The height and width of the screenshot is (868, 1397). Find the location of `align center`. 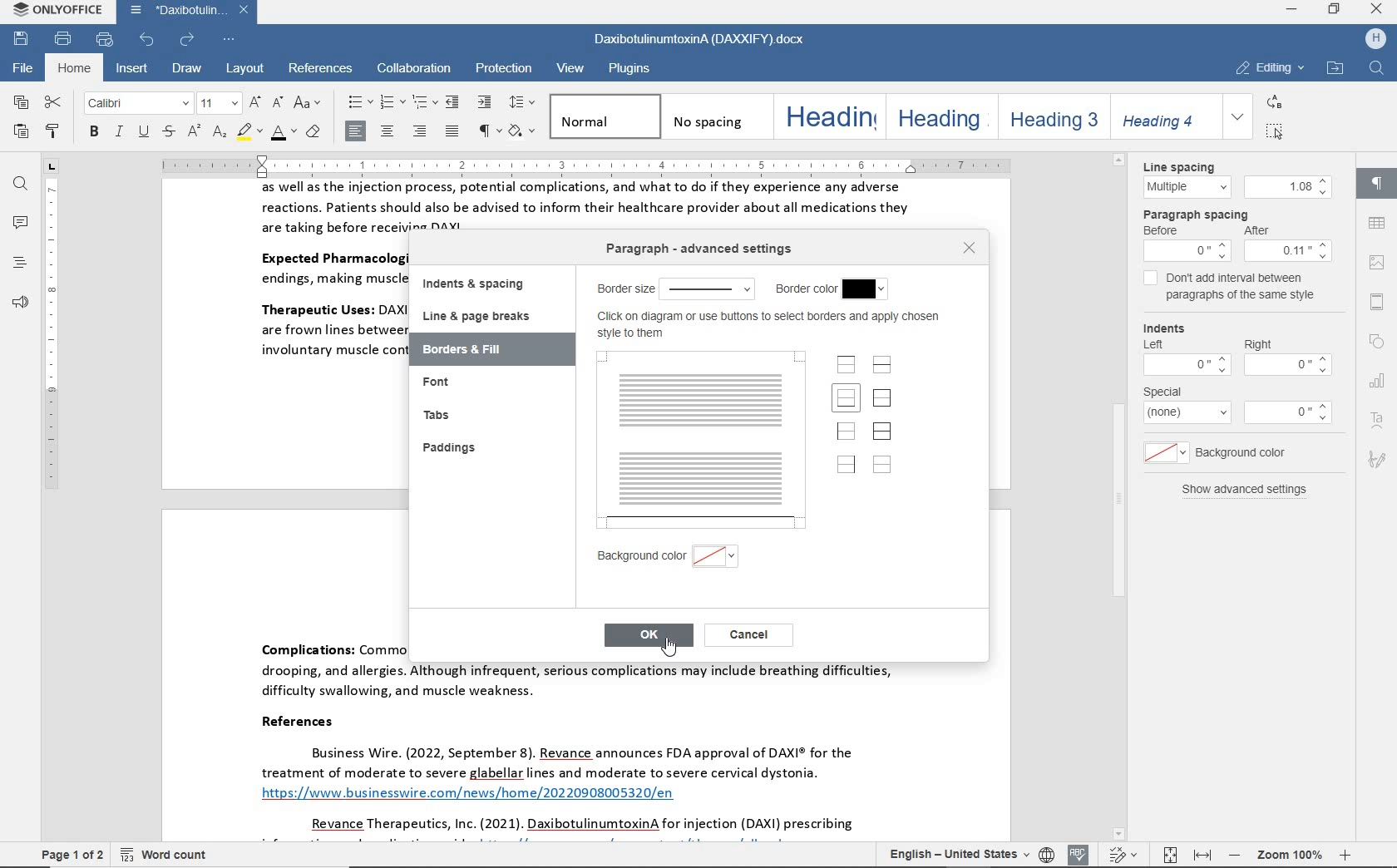

align center is located at coordinates (388, 131).